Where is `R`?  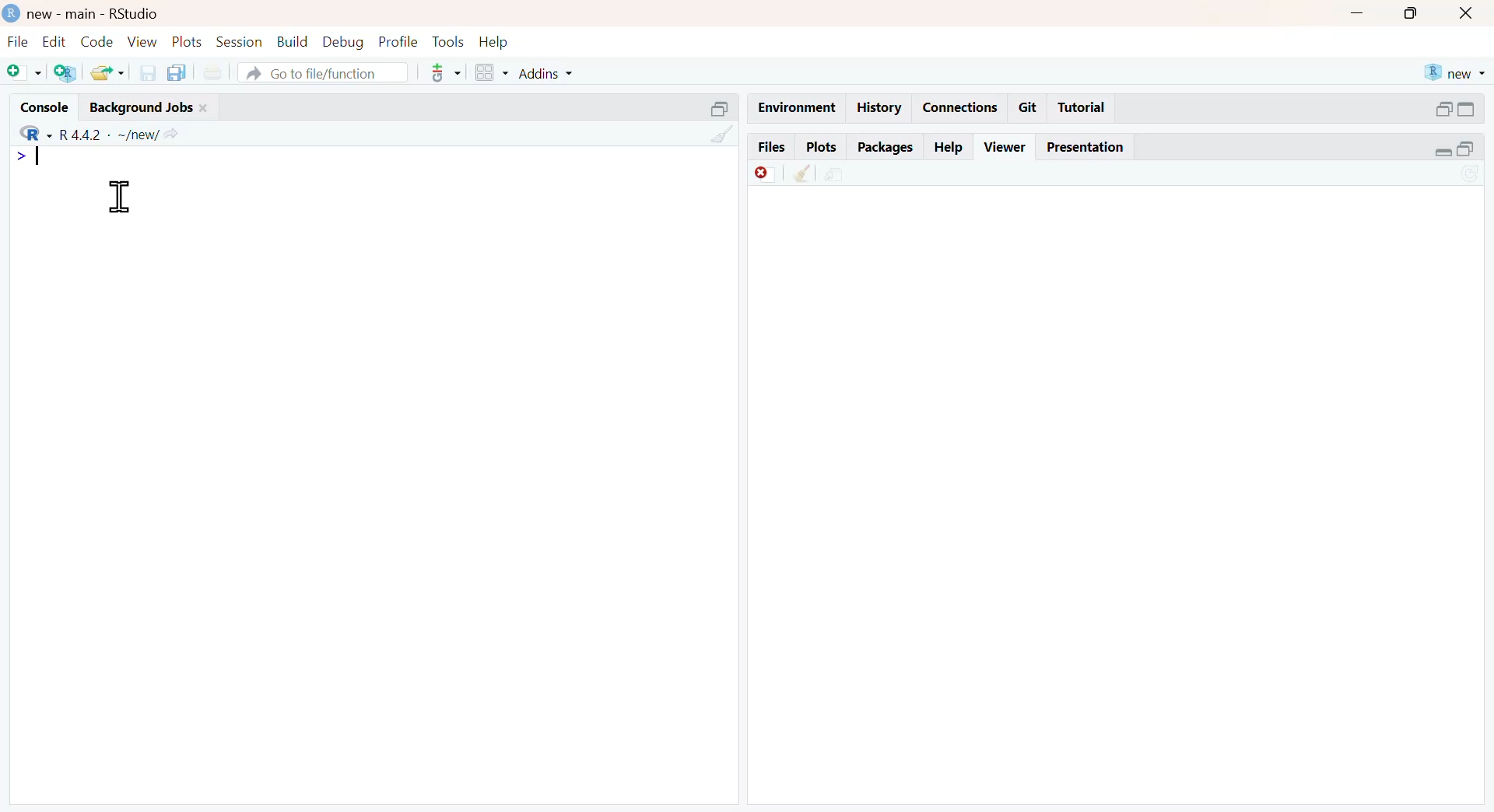 R is located at coordinates (37, 132).